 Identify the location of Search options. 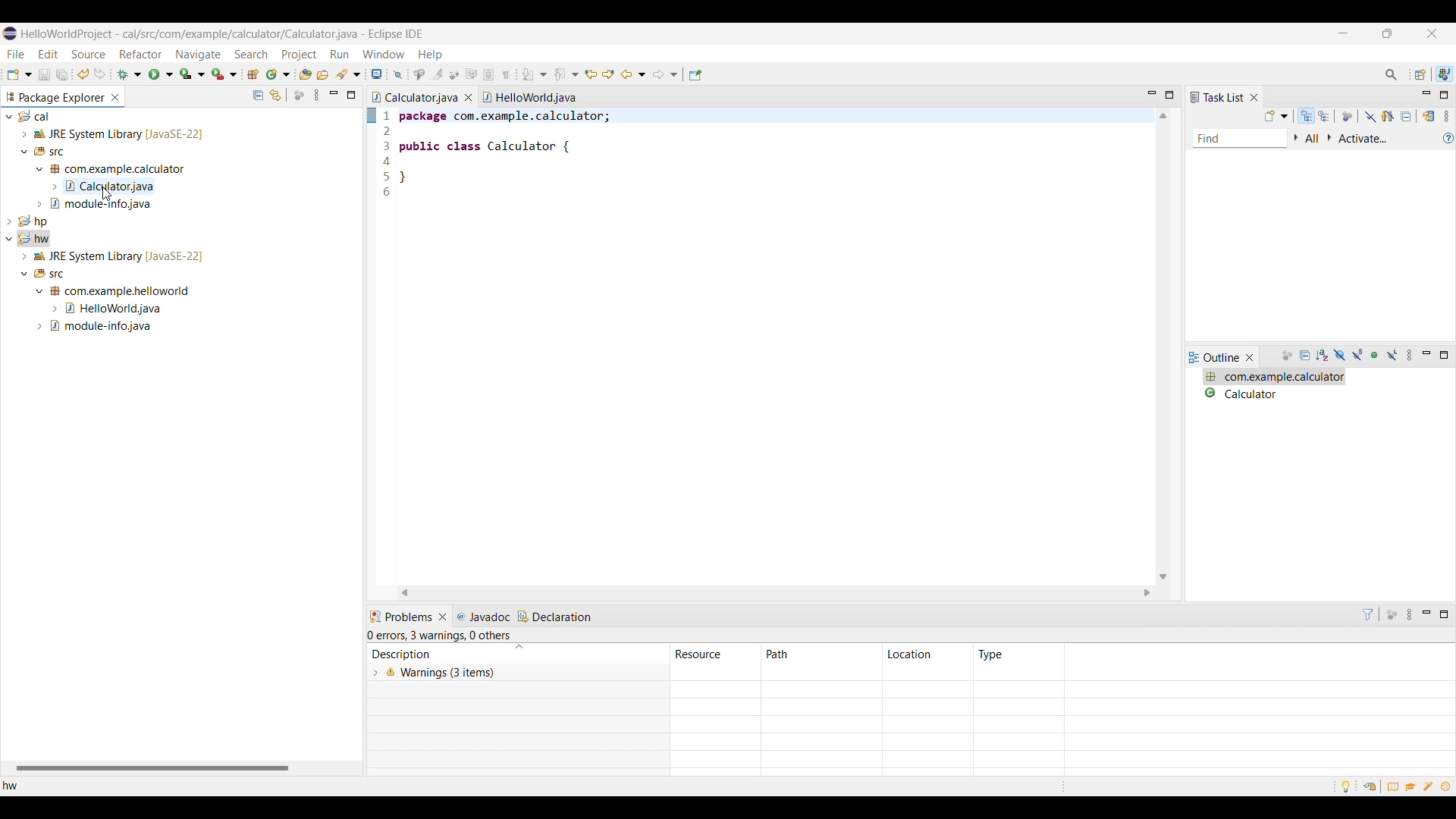
(348, 74).